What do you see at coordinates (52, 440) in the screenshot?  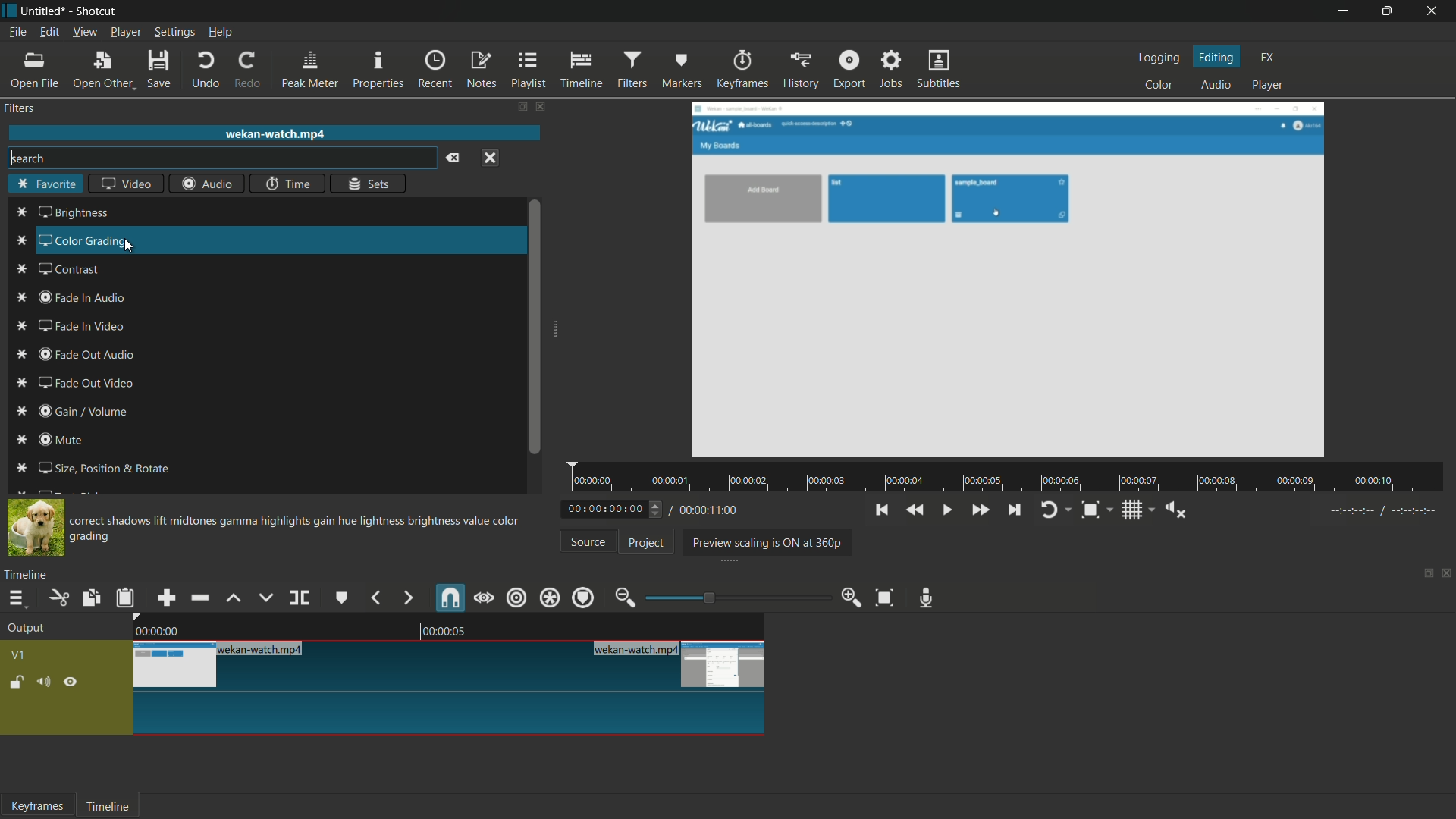 I see `mute` at bounding box center [52, 440].